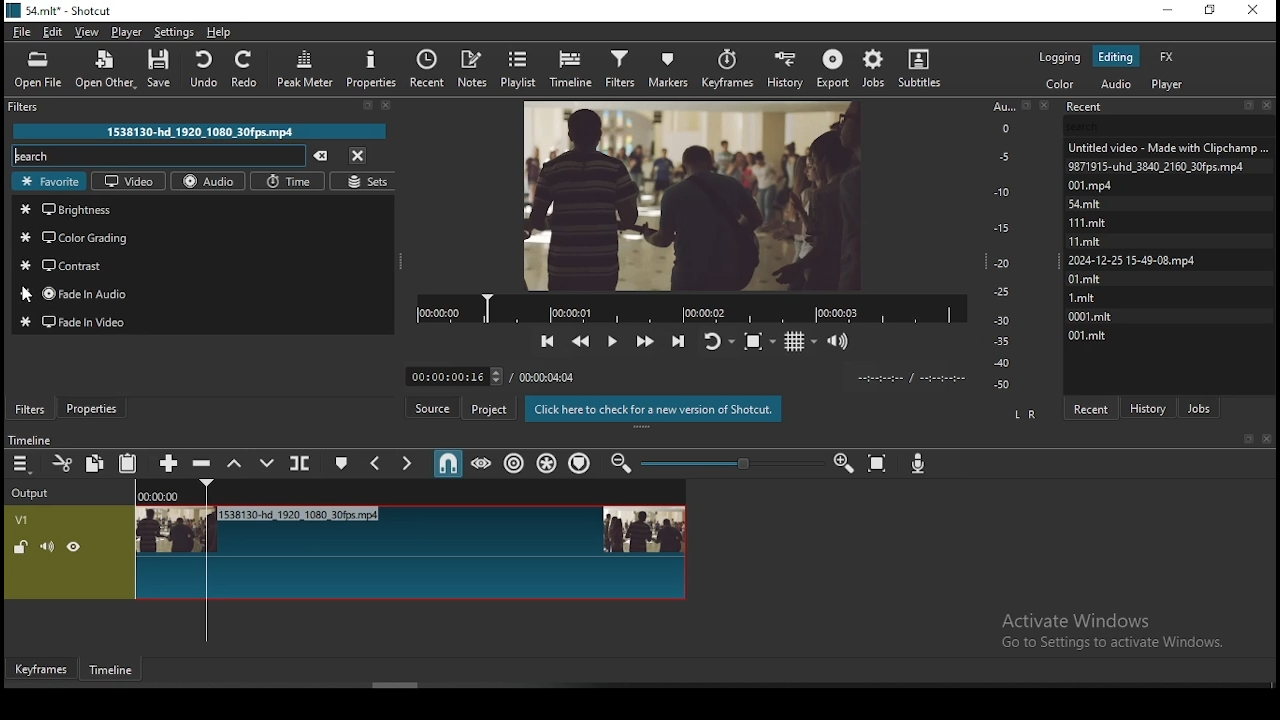  What do you see at coordinates (1167, 85) in the screenshot?
I see `player` at bounding box center [1167, 85].